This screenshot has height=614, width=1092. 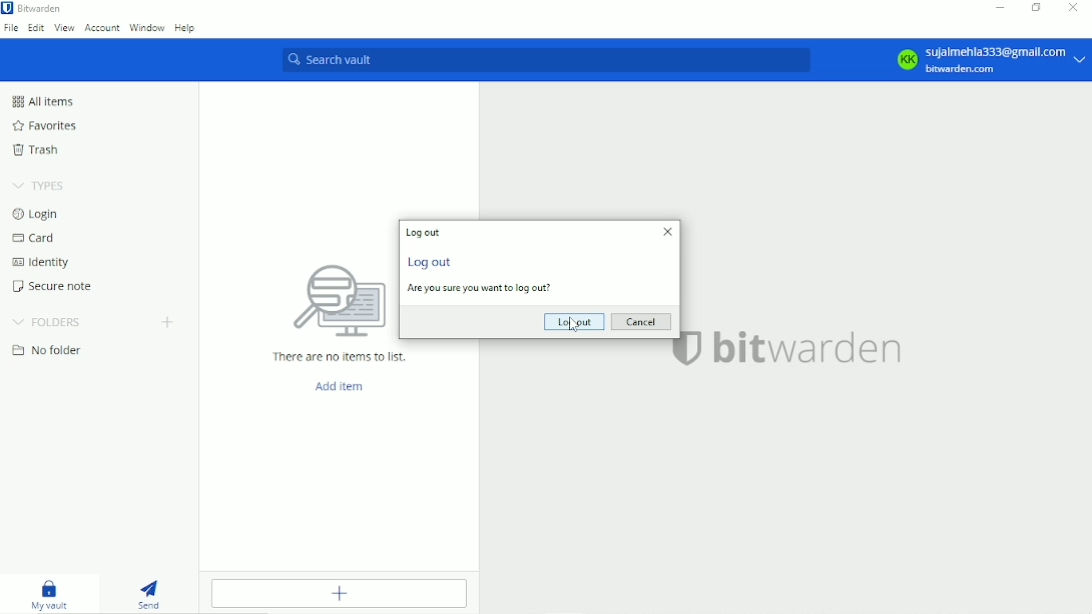 I want to click on computer icon, so click(x=339, y=302).